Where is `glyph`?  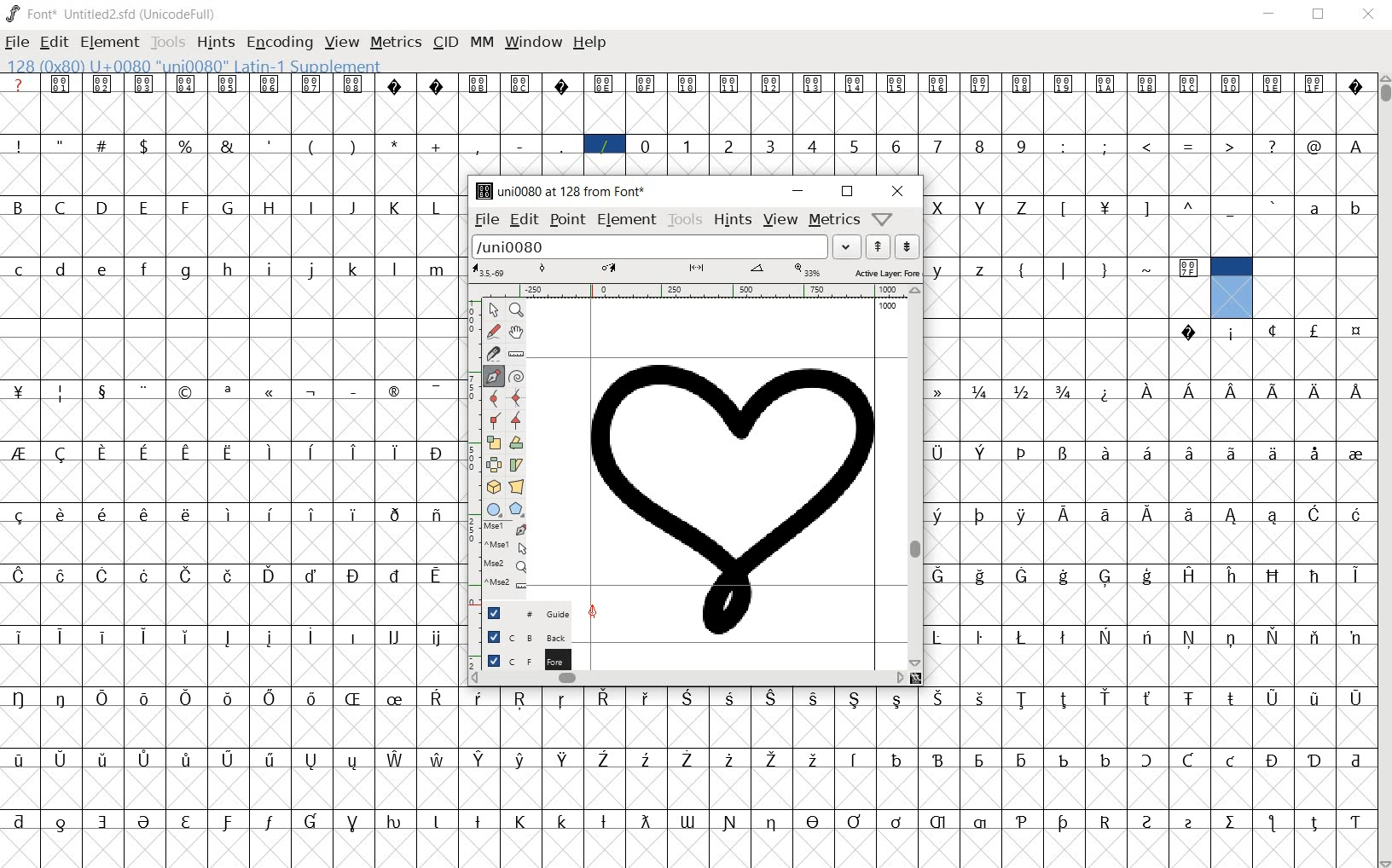 glyph is located at coordinates (186, 454).